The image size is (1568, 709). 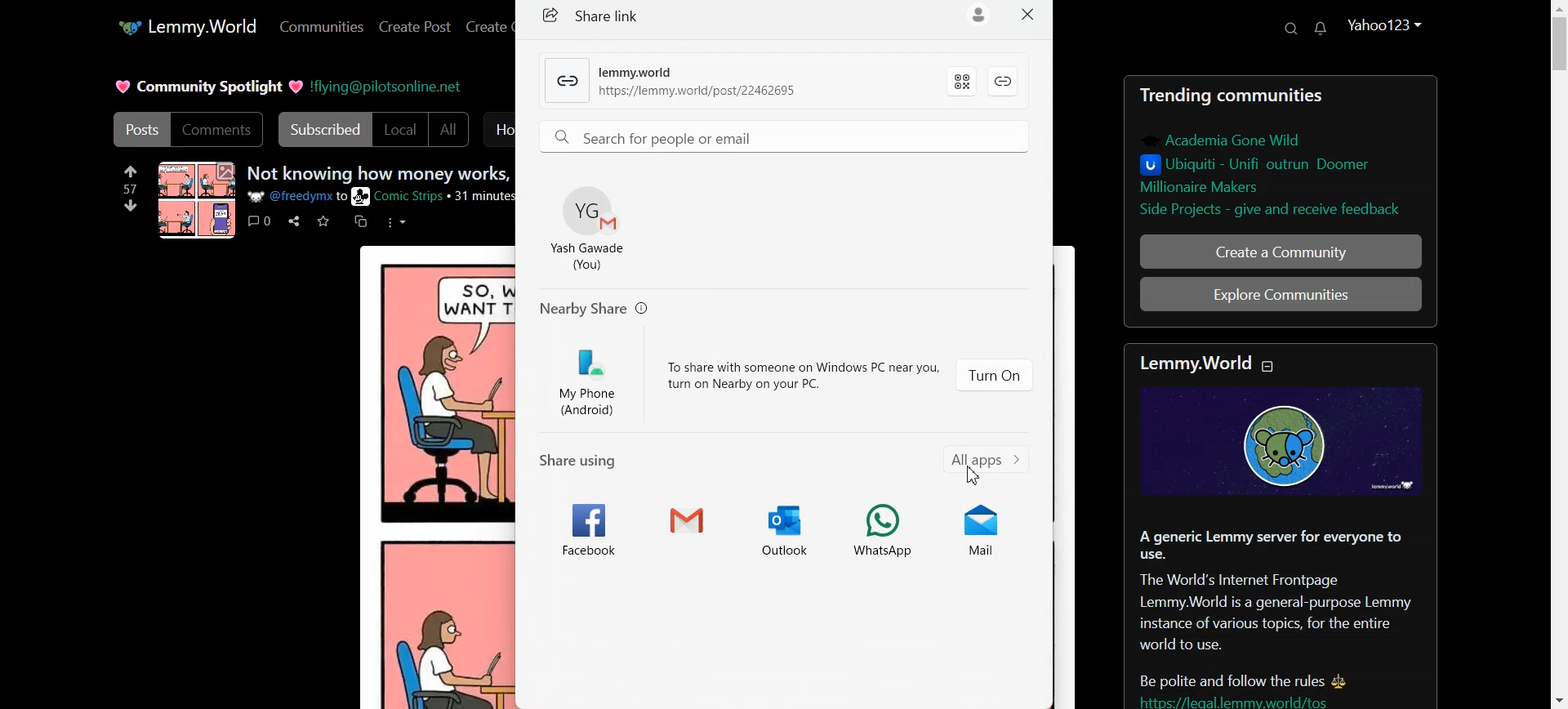 I want to click on Communities, so click(x=321, y=26).